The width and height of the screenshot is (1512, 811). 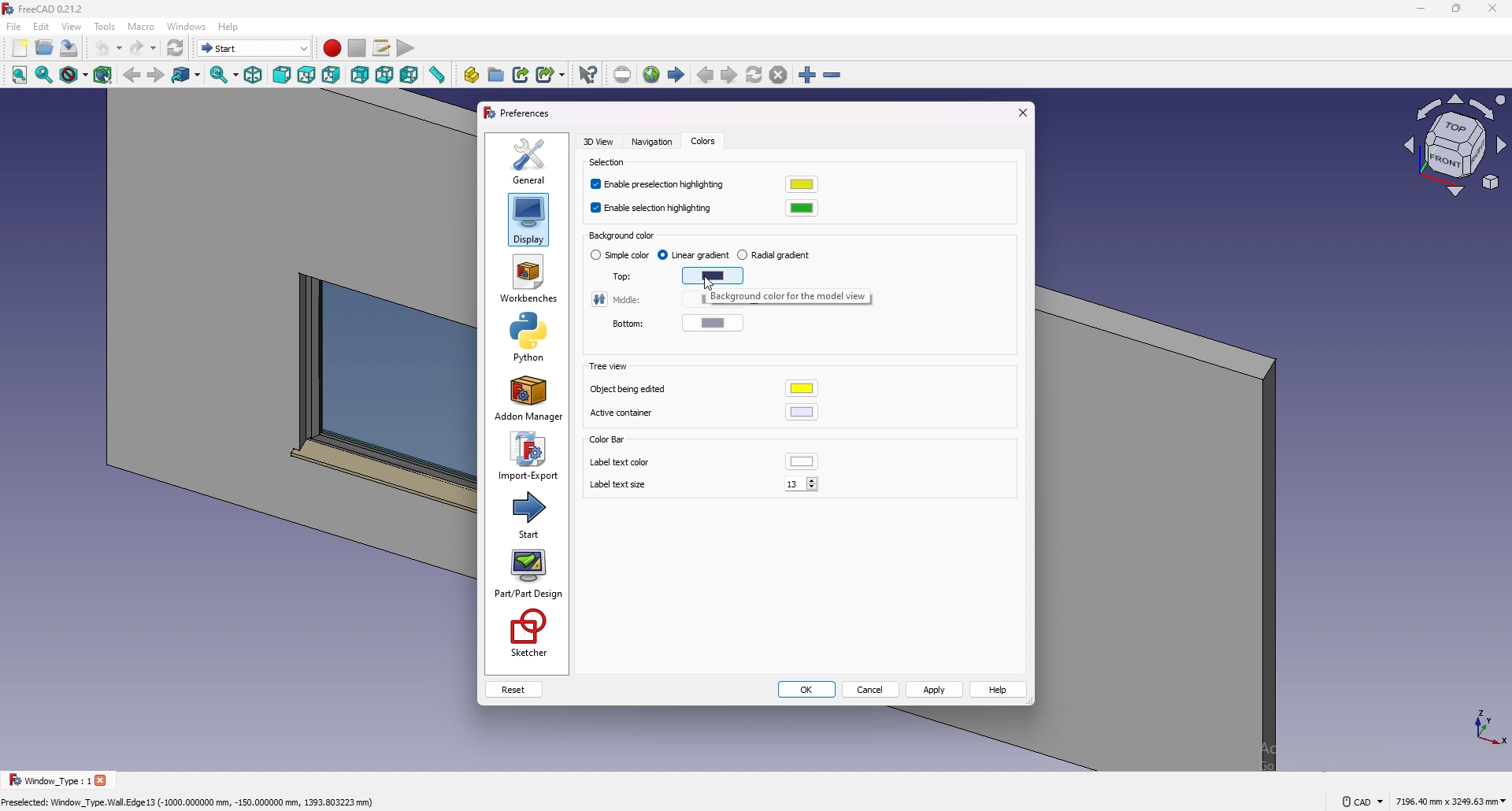 What do you see at coordinates (618, 299) in the screenshot?
I see `middle` at bounding box center [618, 299].